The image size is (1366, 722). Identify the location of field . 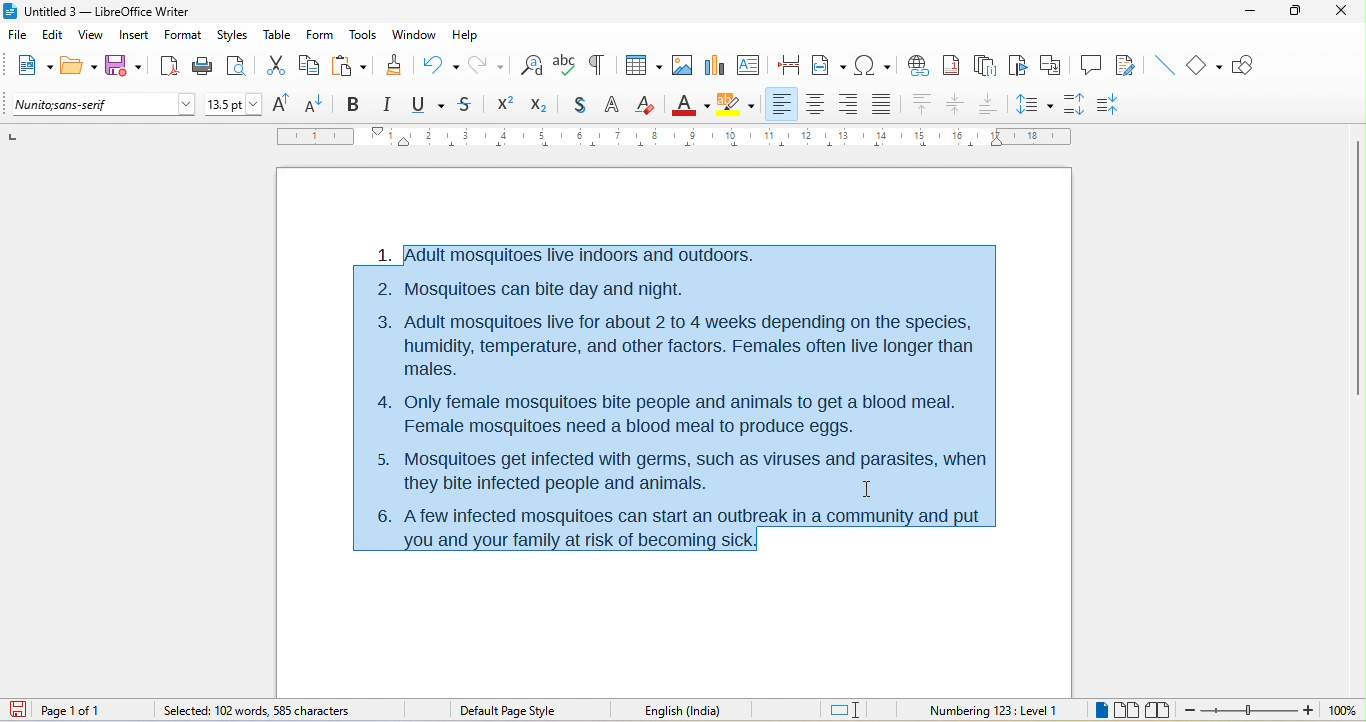
(829, 66).